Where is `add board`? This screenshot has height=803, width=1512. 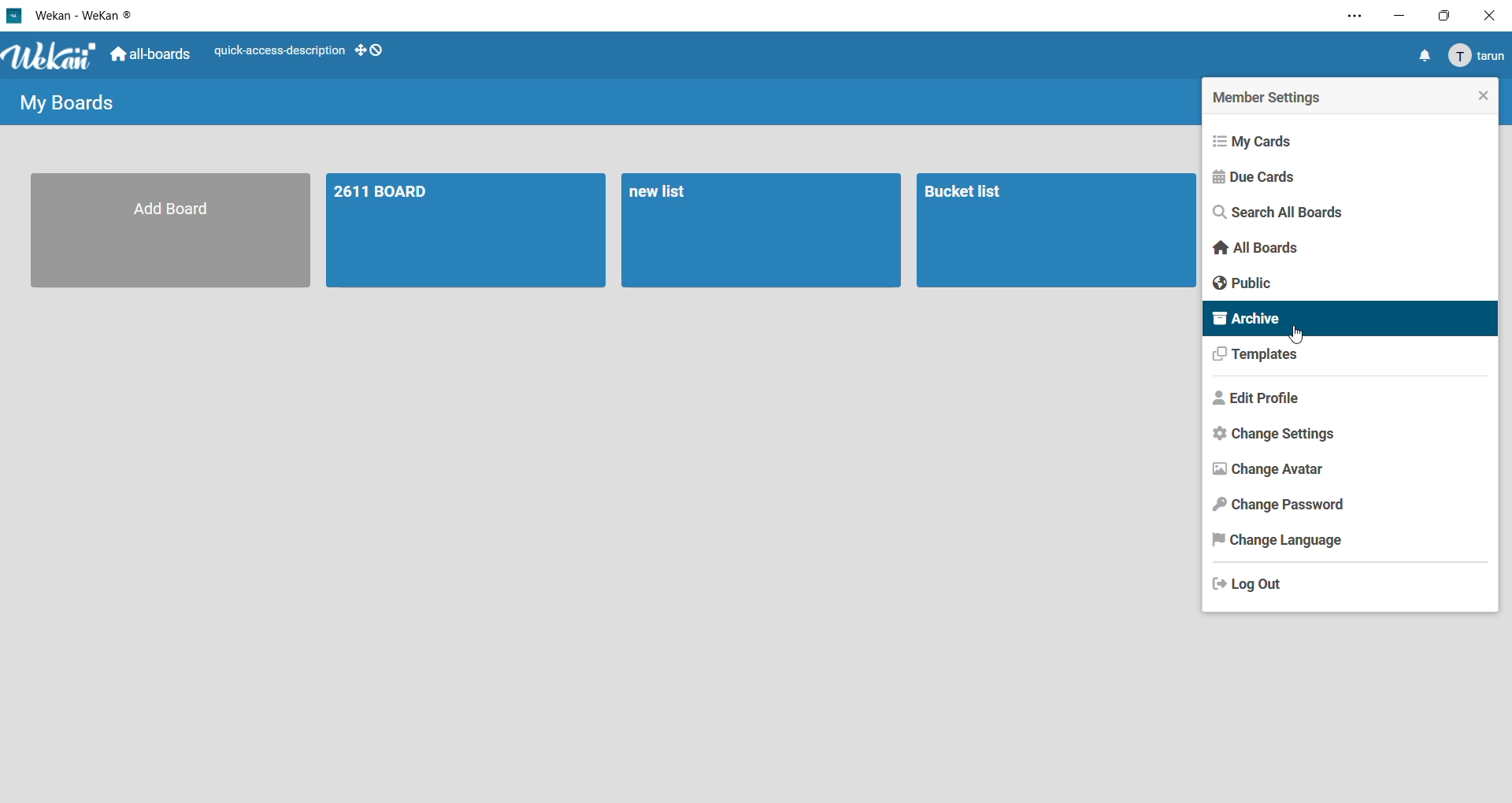
add board is located at coordinates (174, 229).